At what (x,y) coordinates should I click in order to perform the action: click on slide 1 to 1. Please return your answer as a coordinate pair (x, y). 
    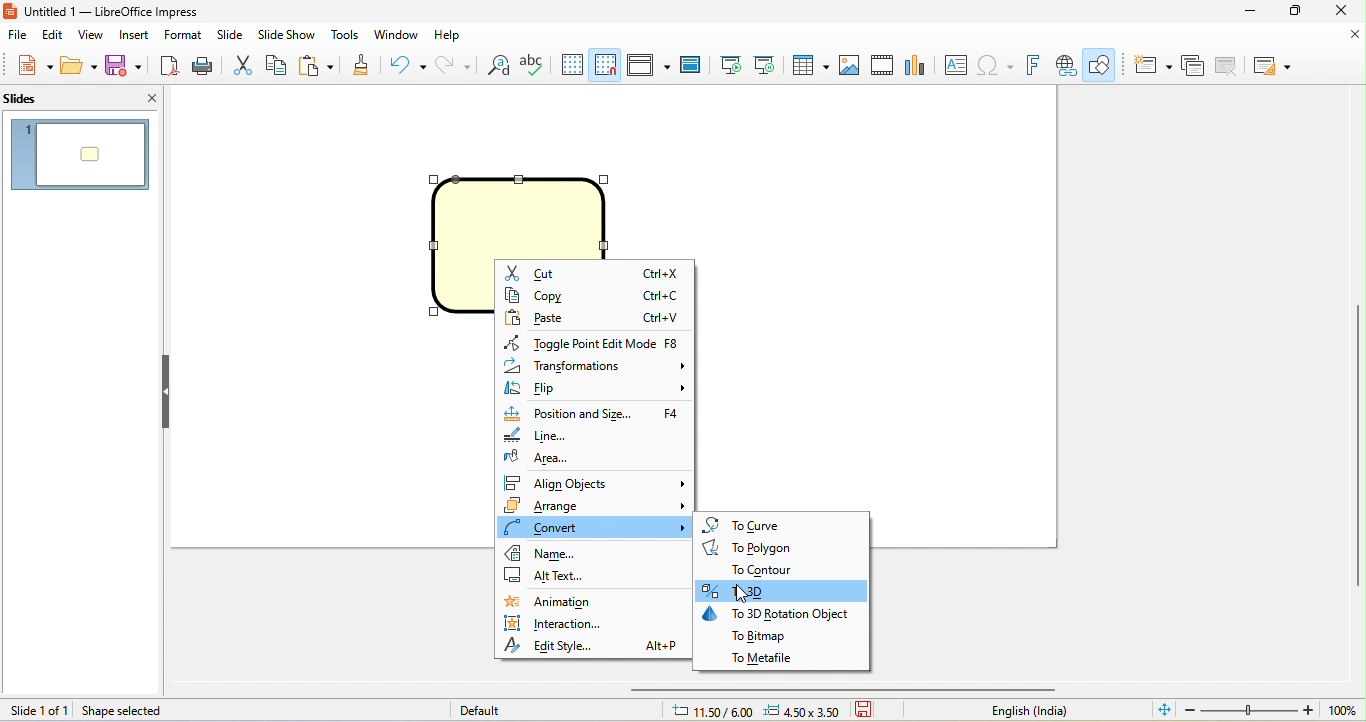
    Looking at the image, I should click on (36, 710).